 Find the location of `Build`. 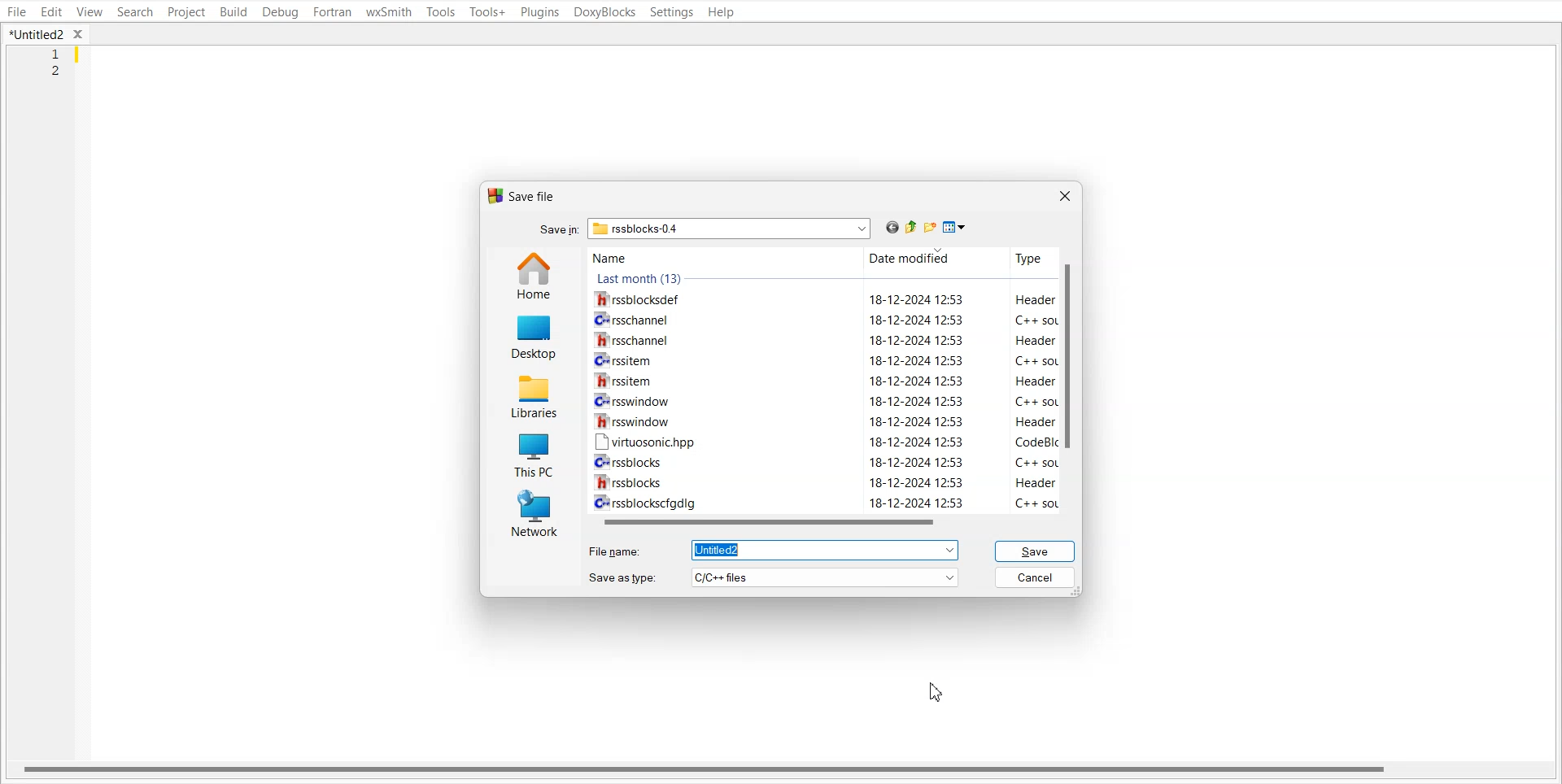

Build is located at coordinates (233, 11).